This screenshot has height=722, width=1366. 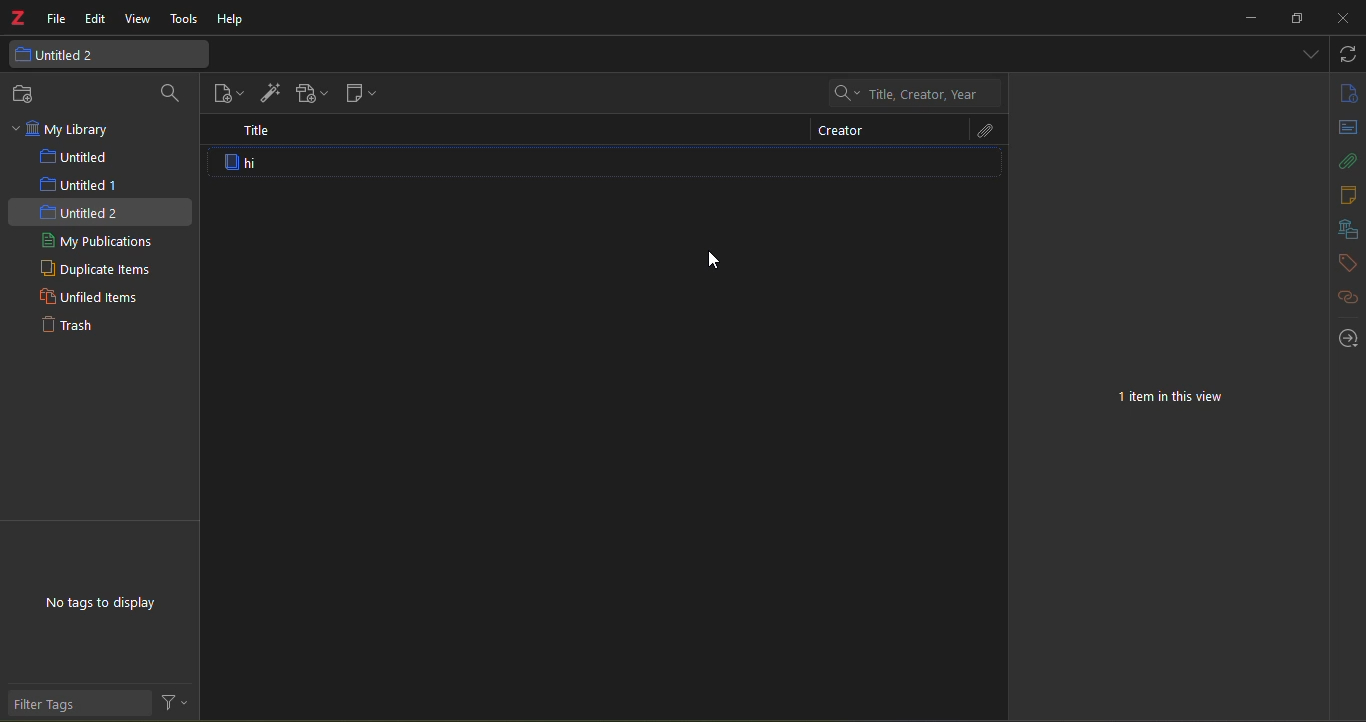 What do you see at coordinates (168, 93) in the screenshot?
I see `search` at bounding box center [168, 93].